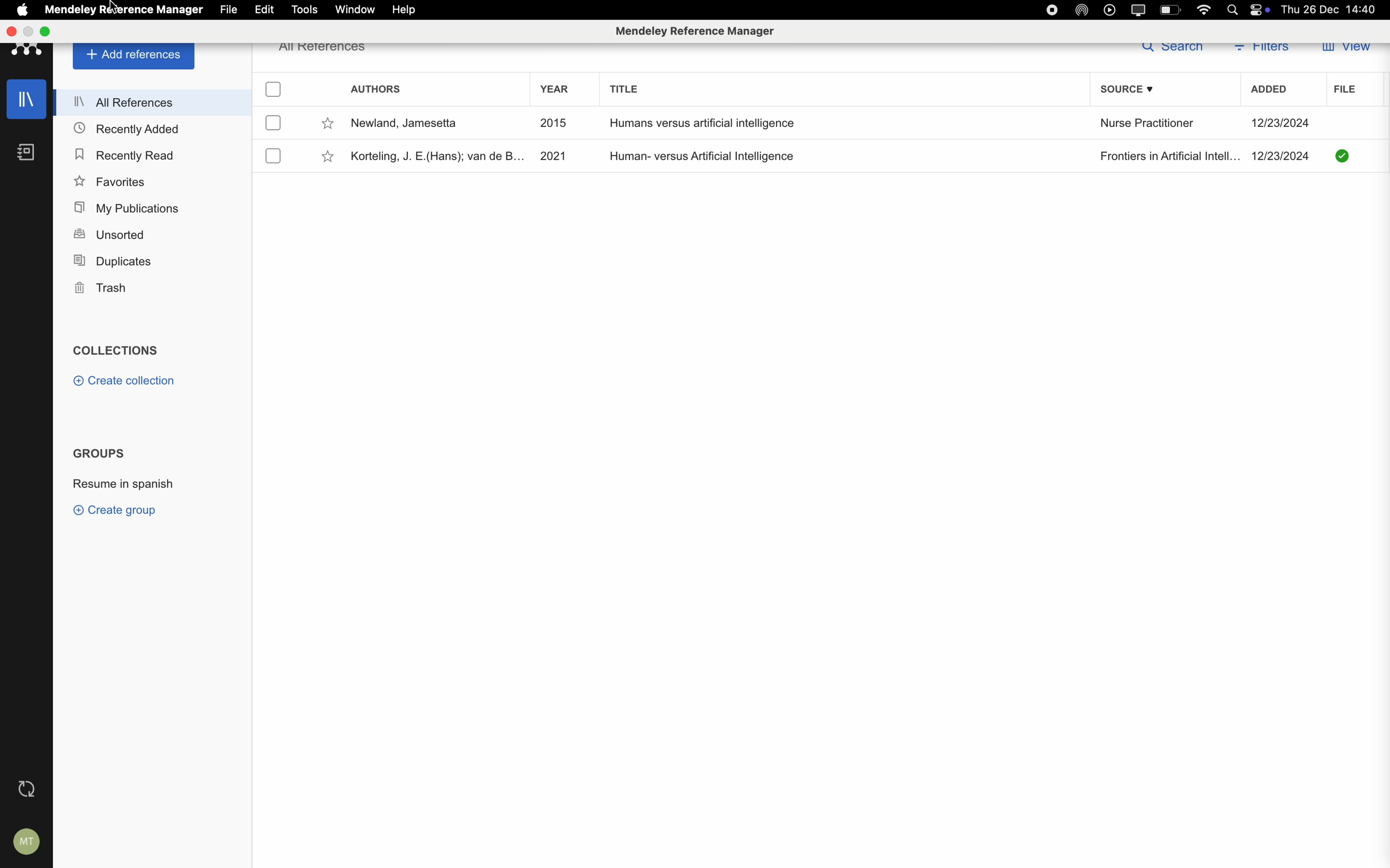 This screenshot has width=1390, height=868. Describe the element at coordinates (118, 511) in the screenshot. I see `create group` at that location.